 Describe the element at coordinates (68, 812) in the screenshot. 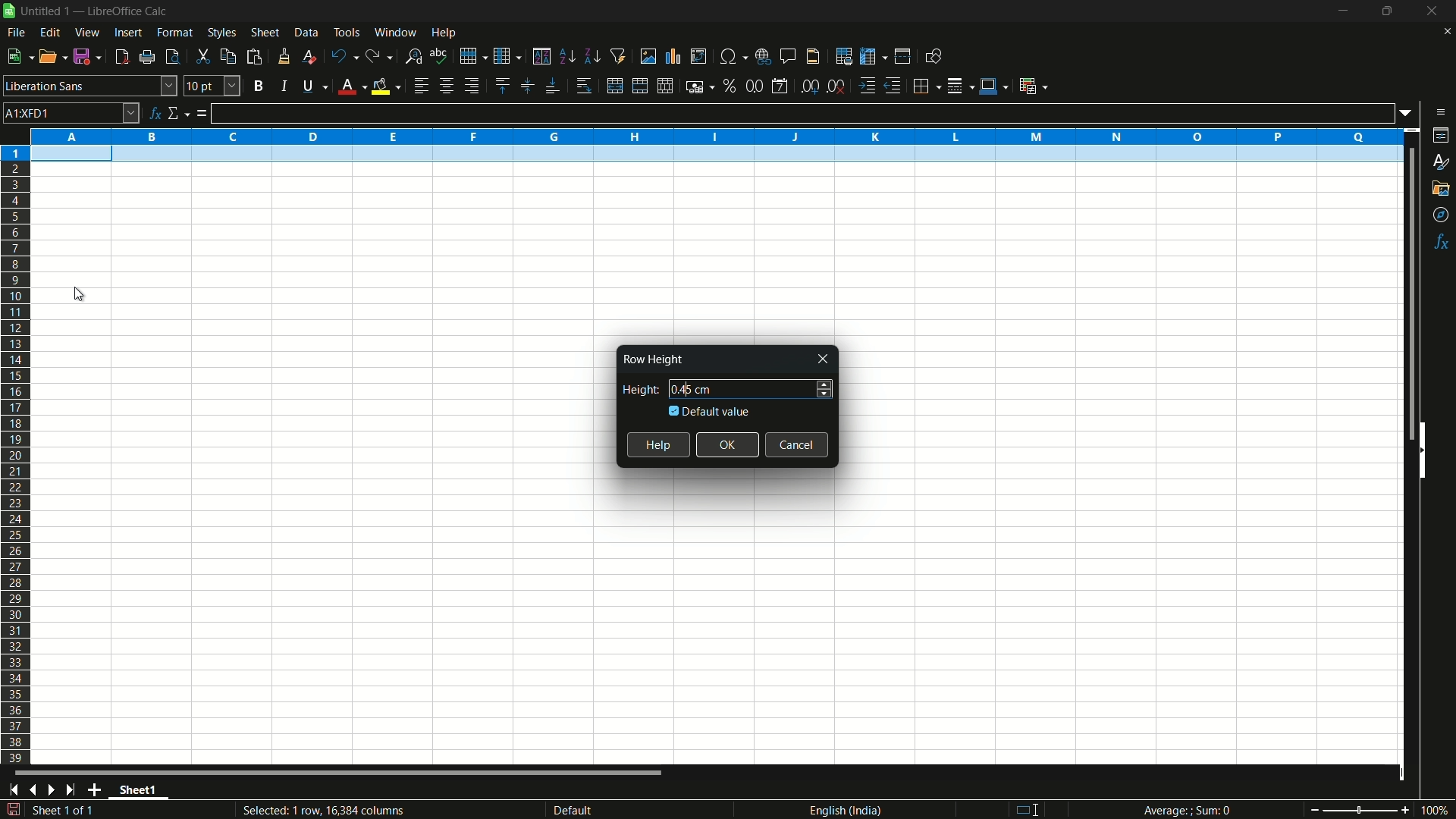

I see `sheet 1 of 1` at that location.